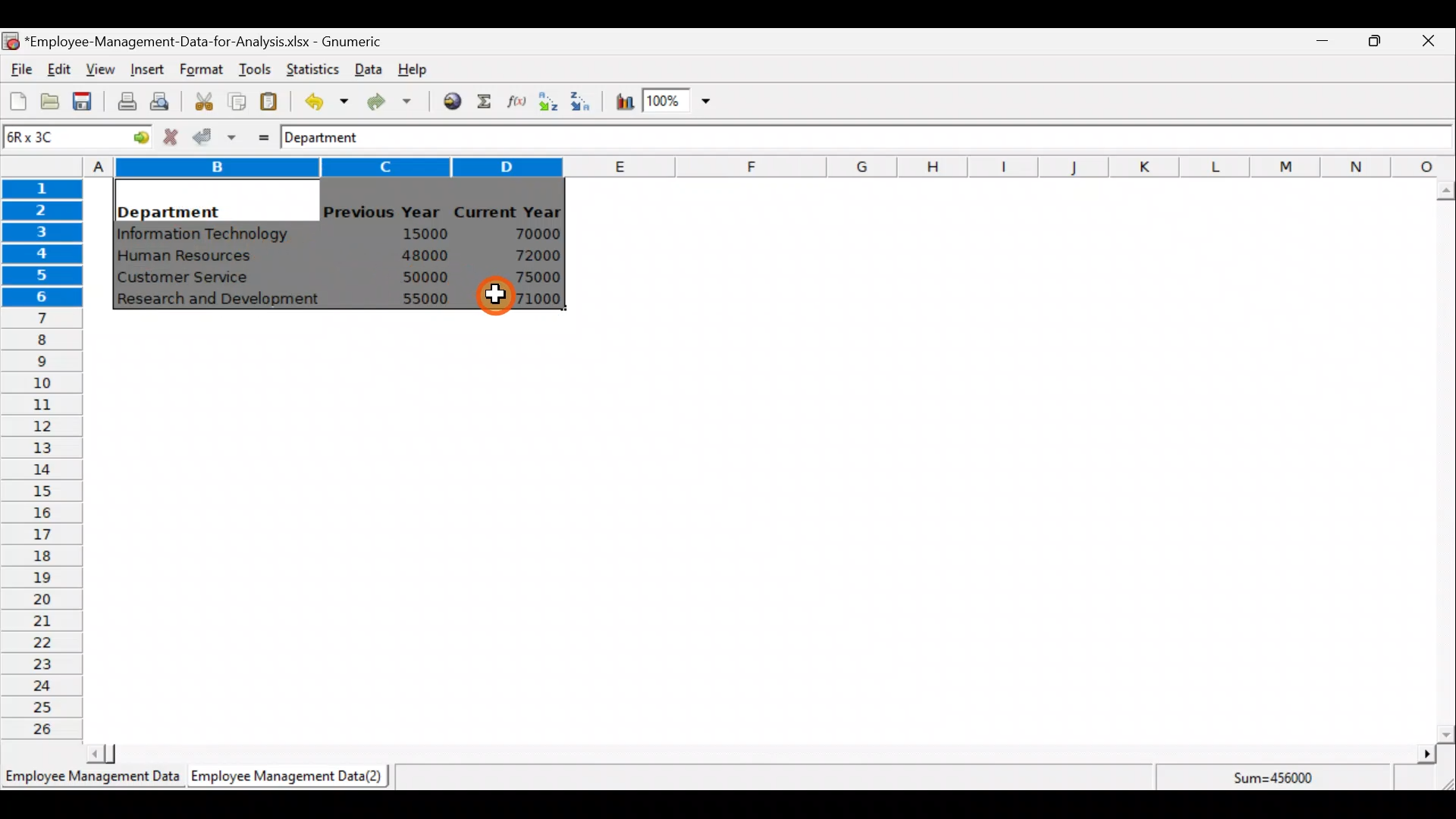 This screenshot has height=819, width=1456. Describe the element at coordinates (516, 100) in the screenshot. I see `Edit a function in the current cell` at that location.